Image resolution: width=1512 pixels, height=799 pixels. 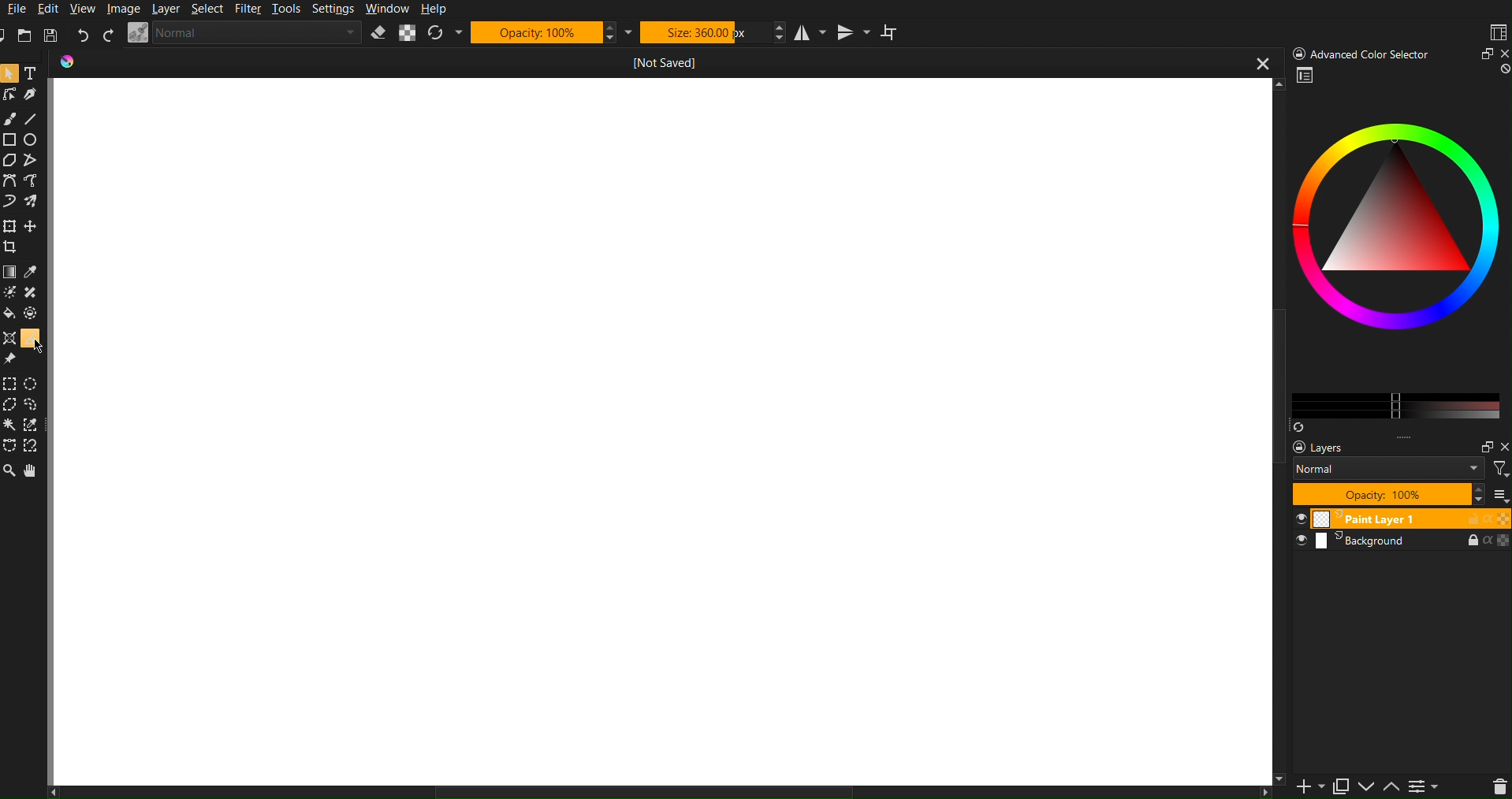 I want to click on Help, so click(x=434, y=9).